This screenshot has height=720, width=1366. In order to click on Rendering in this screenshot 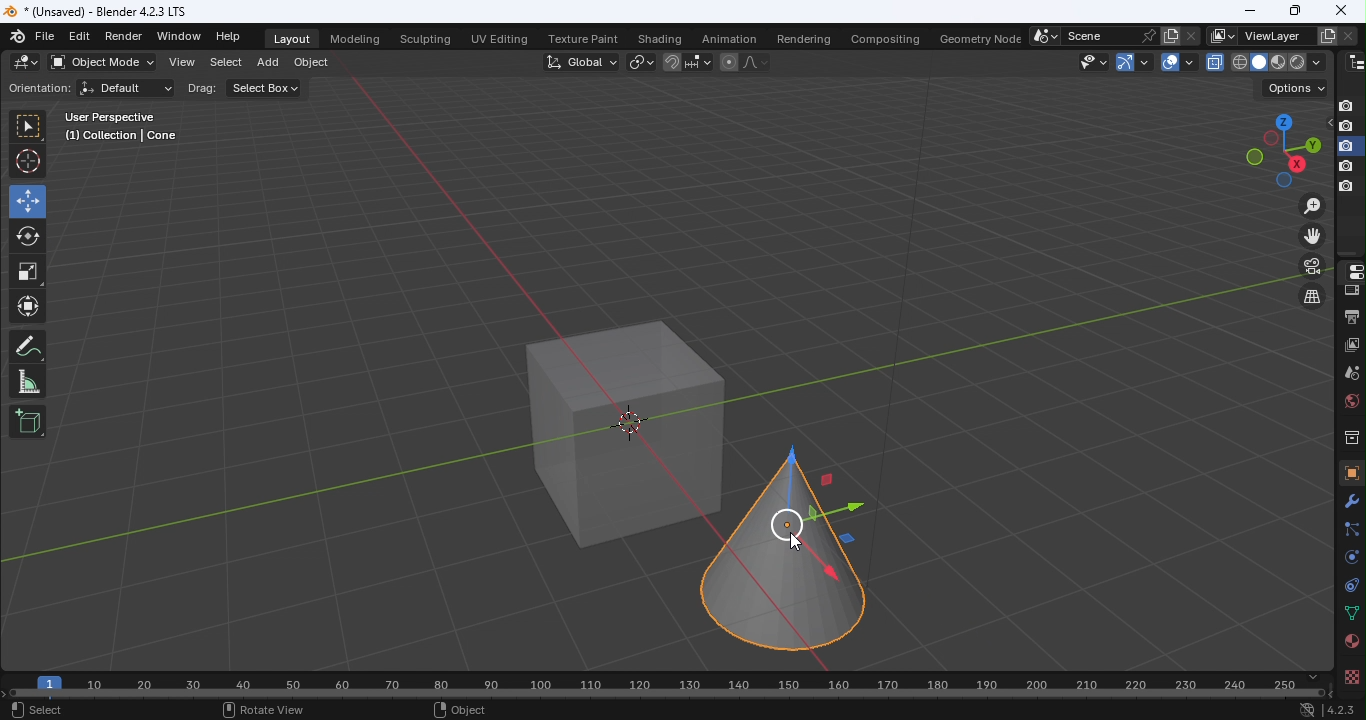, I will do `click(799, 36)`.